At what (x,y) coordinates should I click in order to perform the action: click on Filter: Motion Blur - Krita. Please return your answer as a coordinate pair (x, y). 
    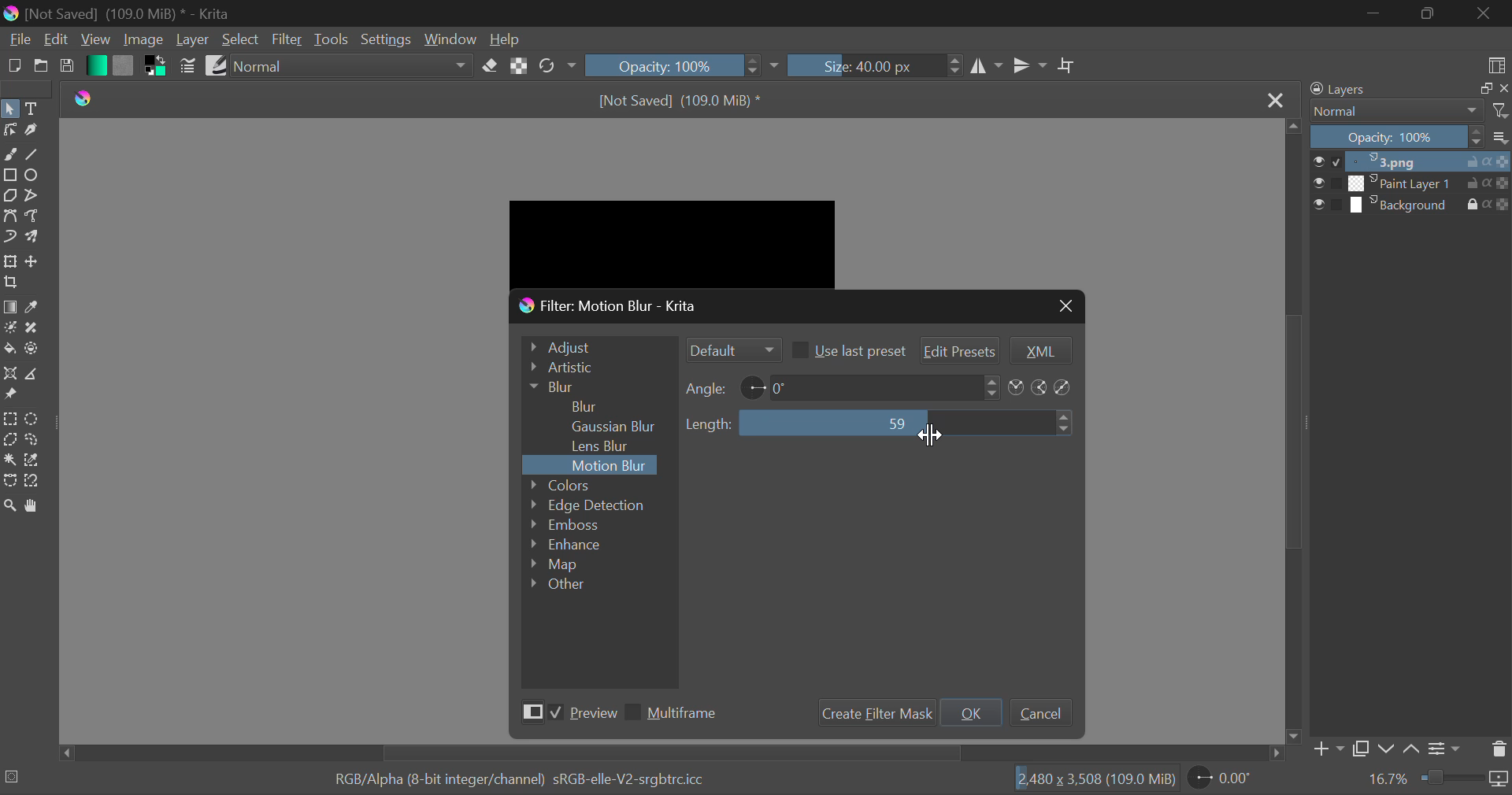
    Looking at the image, I should click on (618, 305).